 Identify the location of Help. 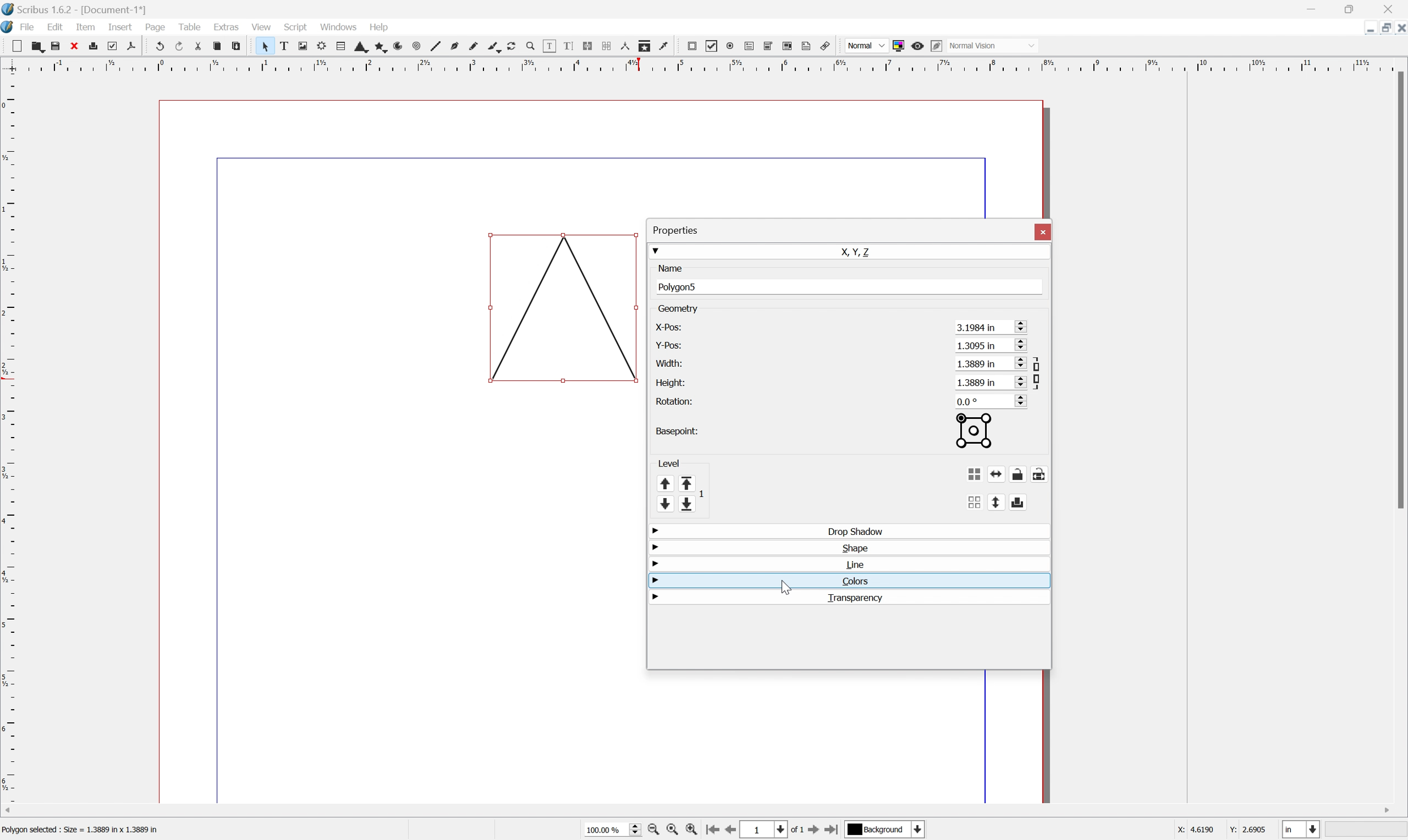
(379, 28).